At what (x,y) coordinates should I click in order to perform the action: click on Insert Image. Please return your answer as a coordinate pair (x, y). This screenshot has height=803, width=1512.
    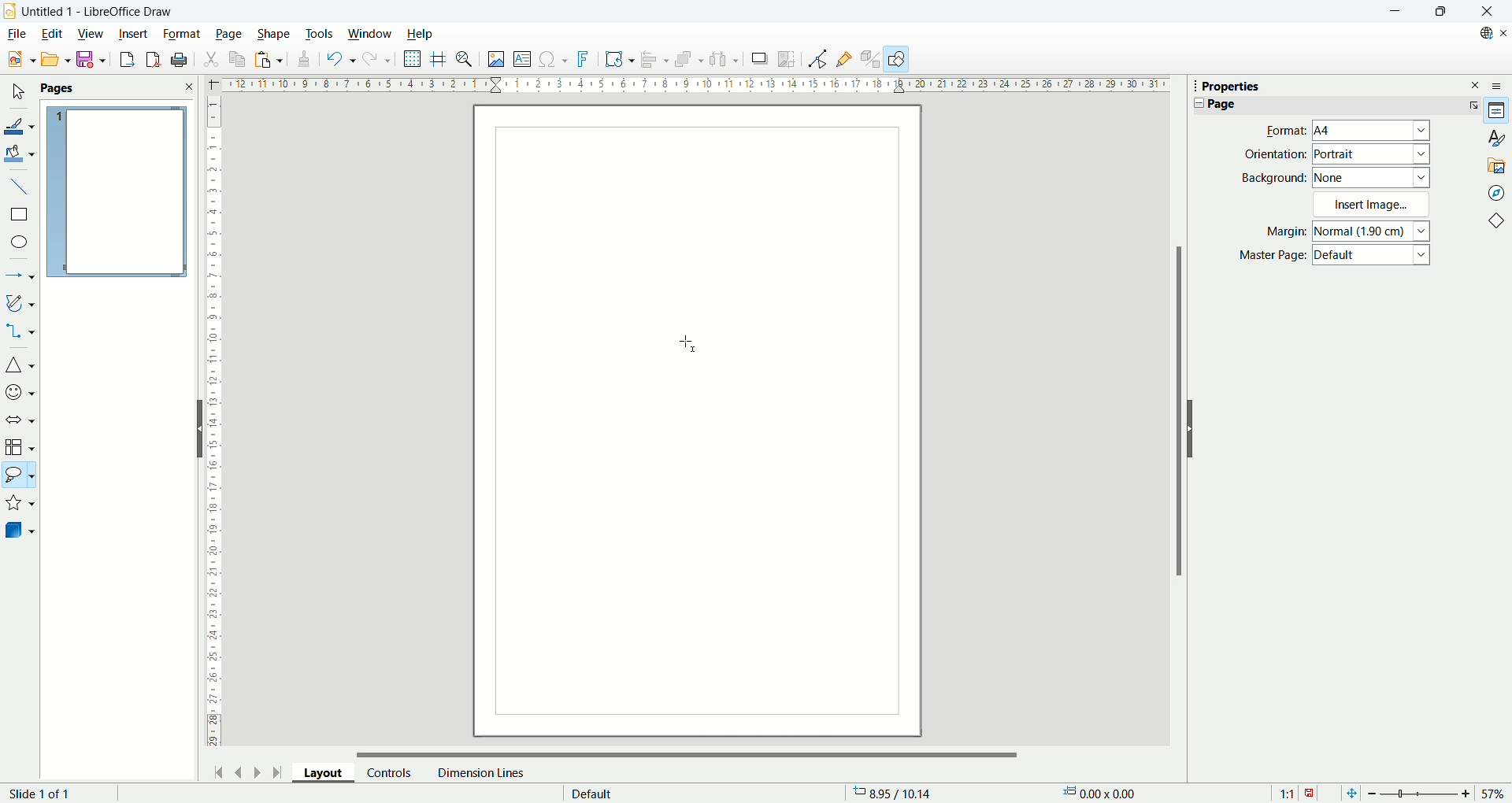
    Looking at the image, I should click on (1373, 204).